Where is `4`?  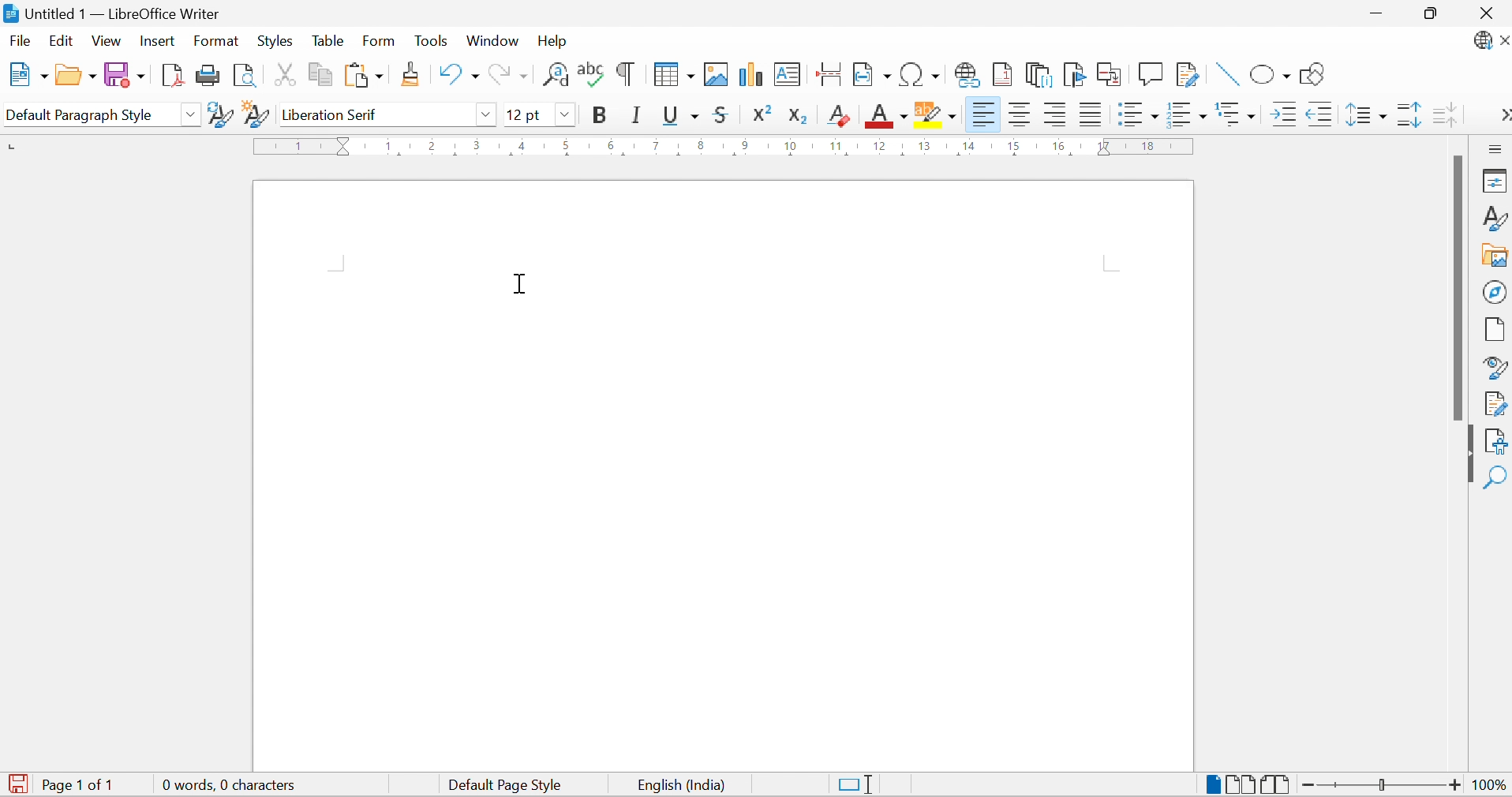
4 is located at coordinates (523, 145).